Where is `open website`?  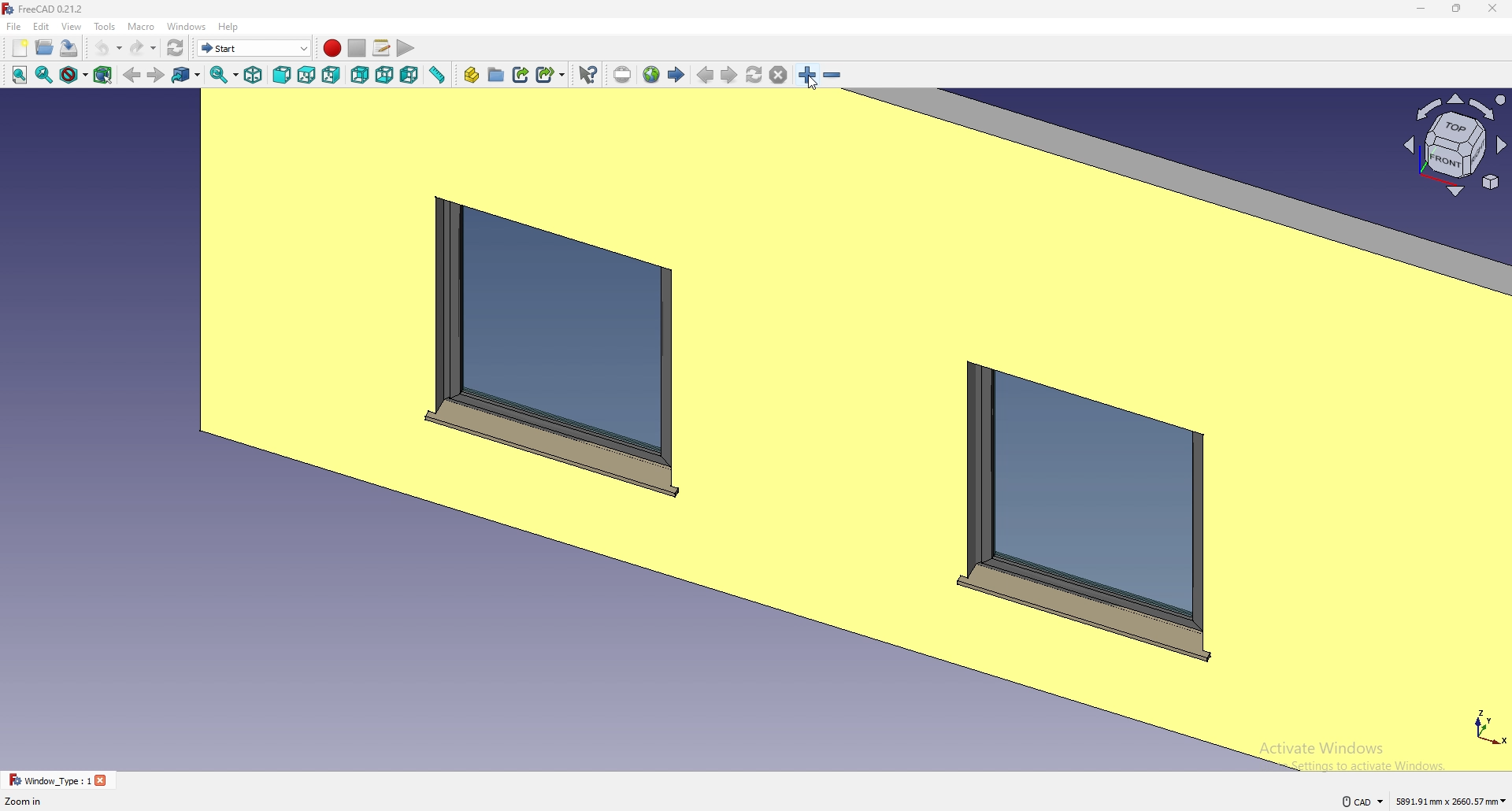 open website is located at coordinates (651, 75).